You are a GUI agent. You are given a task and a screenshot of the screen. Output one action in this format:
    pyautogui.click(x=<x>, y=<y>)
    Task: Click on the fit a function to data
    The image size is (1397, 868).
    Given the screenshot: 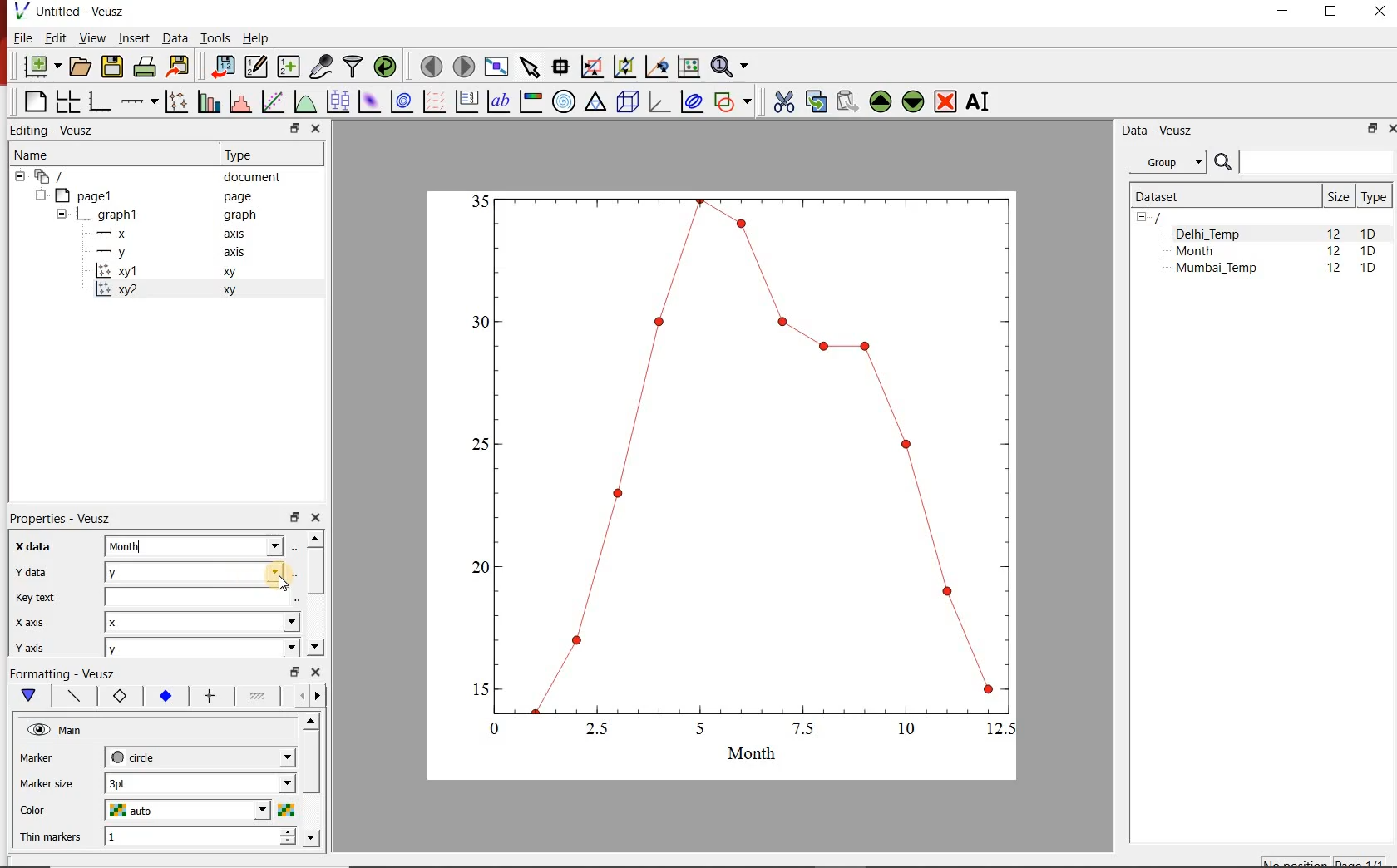 What is the action you would take?
    pyautogui.click(x=272, y=101)
    